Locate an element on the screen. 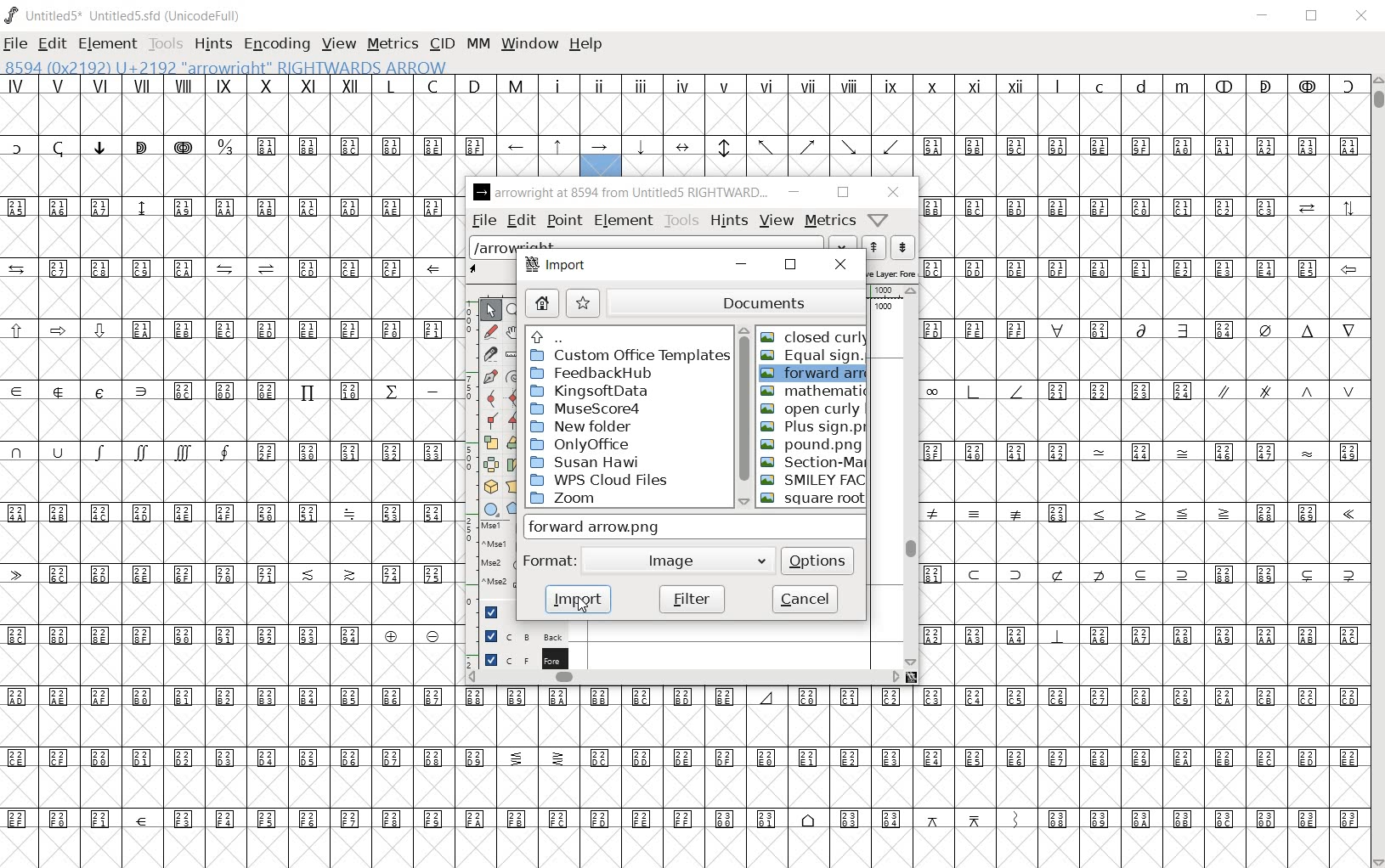 The width and height of the screenshot is (1385, 868). element is located at coordinates (624, 220).